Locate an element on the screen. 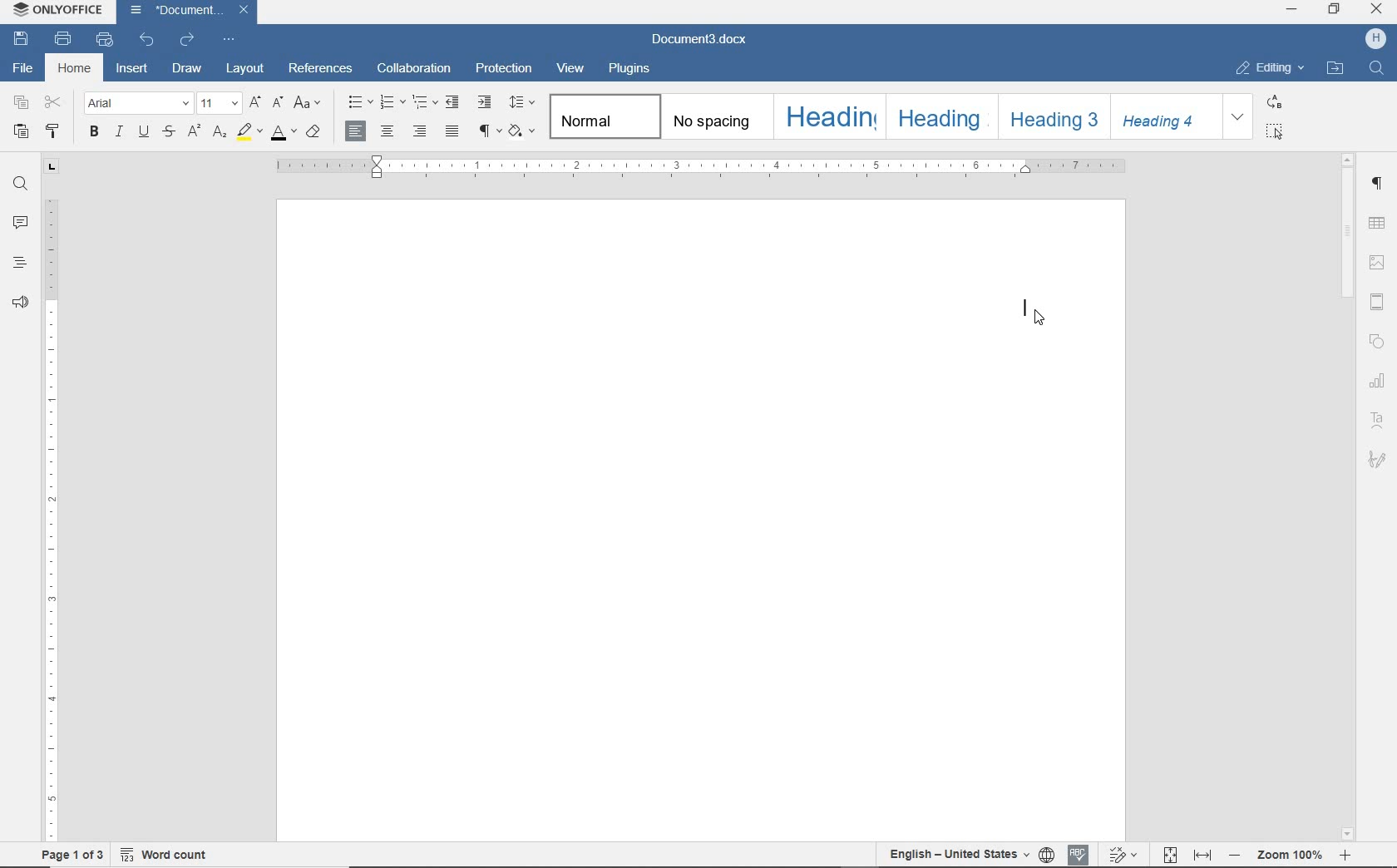 This screenshot has height=868, width=1397. Text cursor is located at coordinates (1029, 303).